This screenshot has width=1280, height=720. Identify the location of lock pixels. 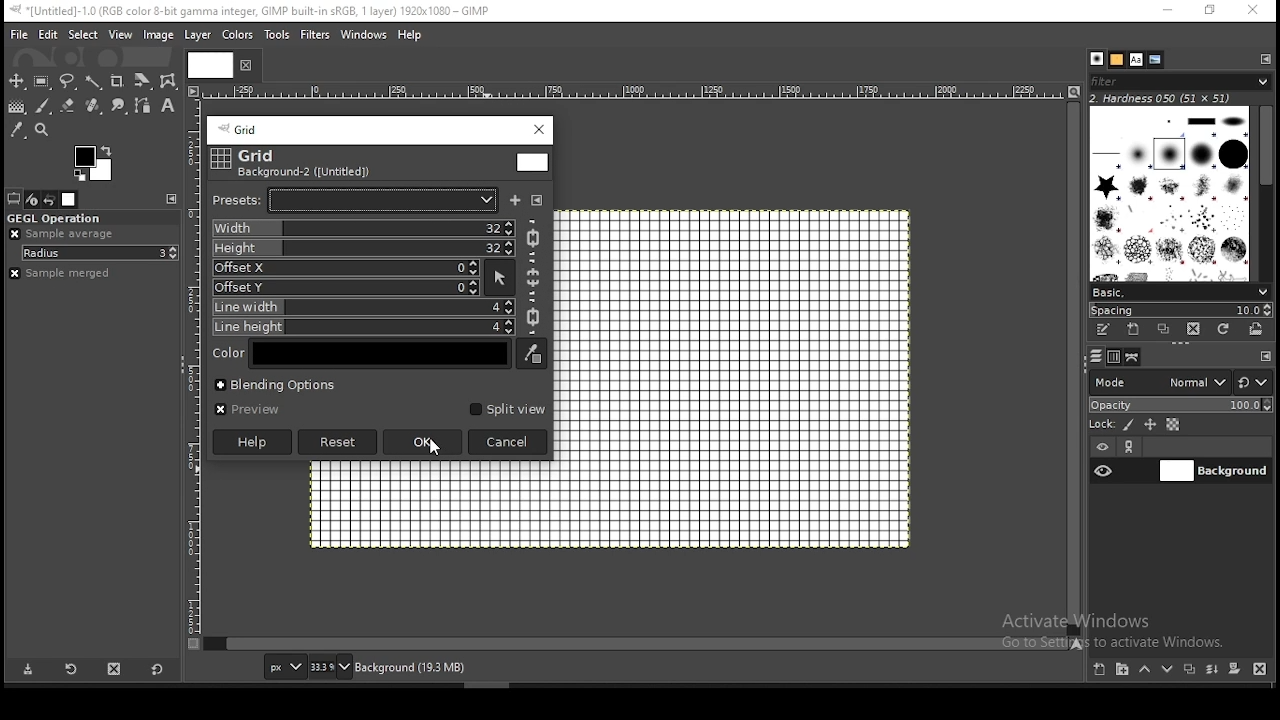
(1128, 425).